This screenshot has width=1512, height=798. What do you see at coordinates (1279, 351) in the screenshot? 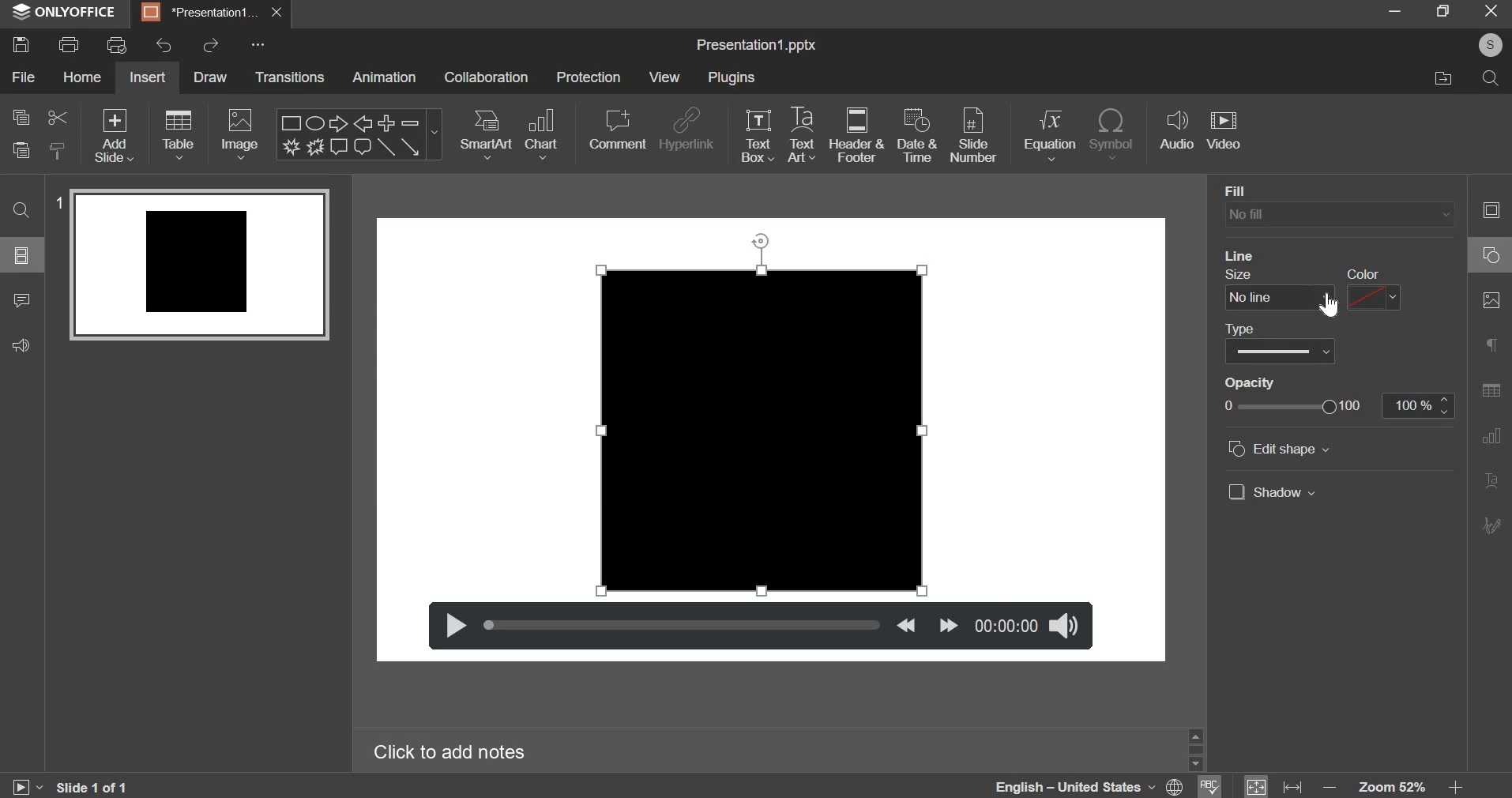
I see `line type` at bounding box center [1279, 351].